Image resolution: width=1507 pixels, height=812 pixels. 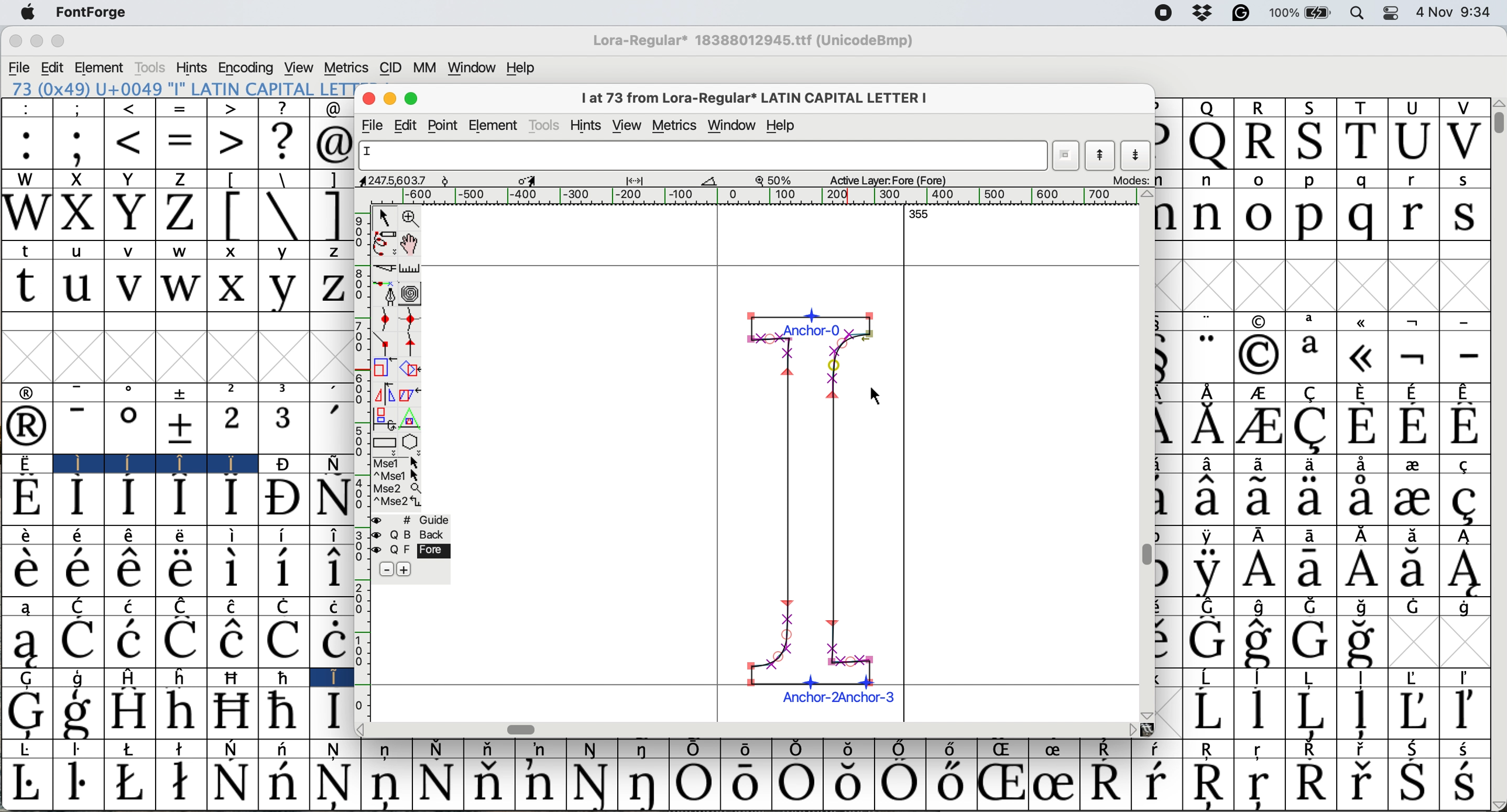 What do you see at coordinates (408, 125) in the screenshot?
I see `edit` at bounding box center [408, 125].